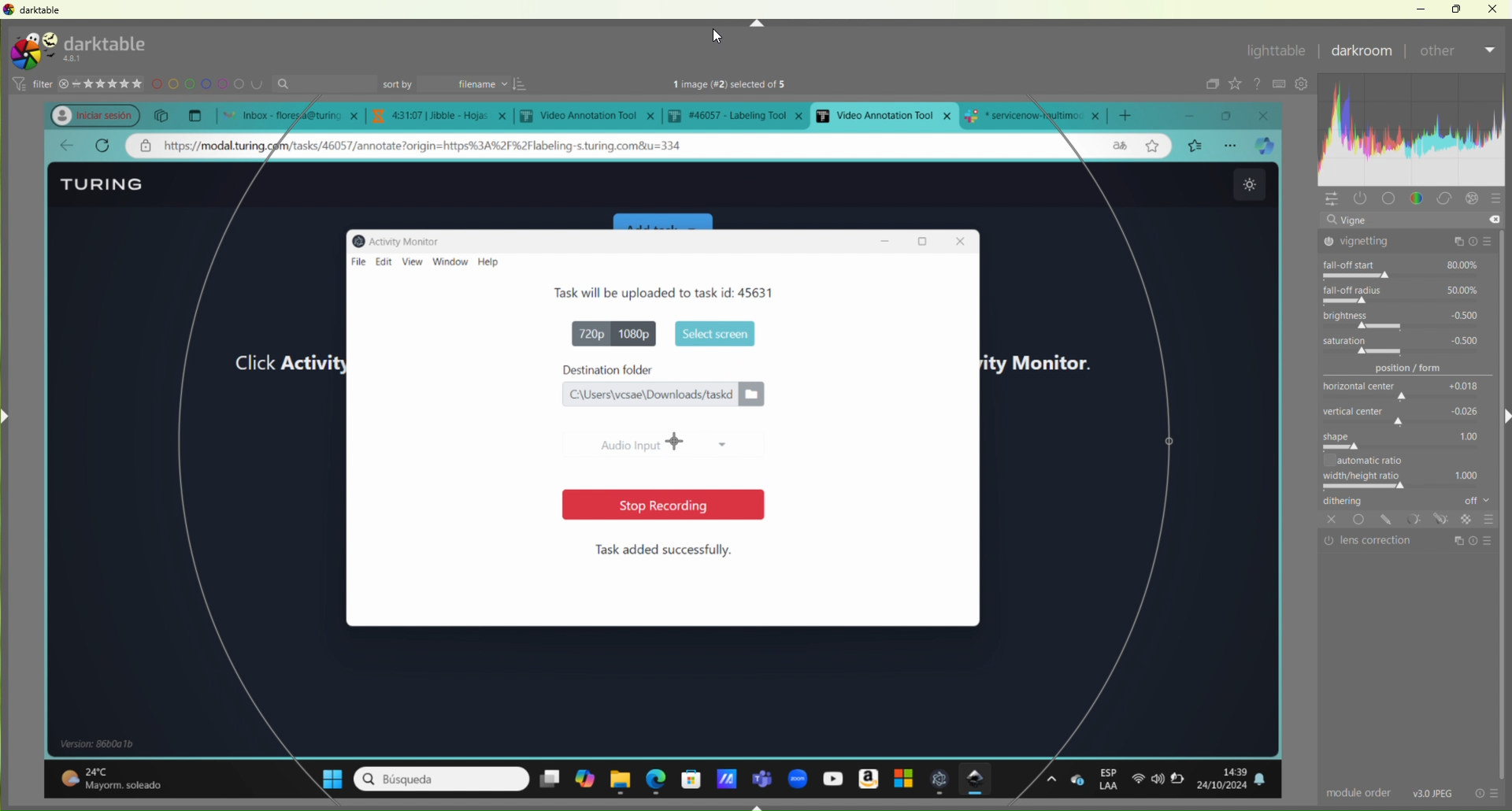 The image size is (1512, 811). What do you see at coordinates (1422, 9) in the screenshot?
I see `Minimize` at bounding box center [1422, 9].